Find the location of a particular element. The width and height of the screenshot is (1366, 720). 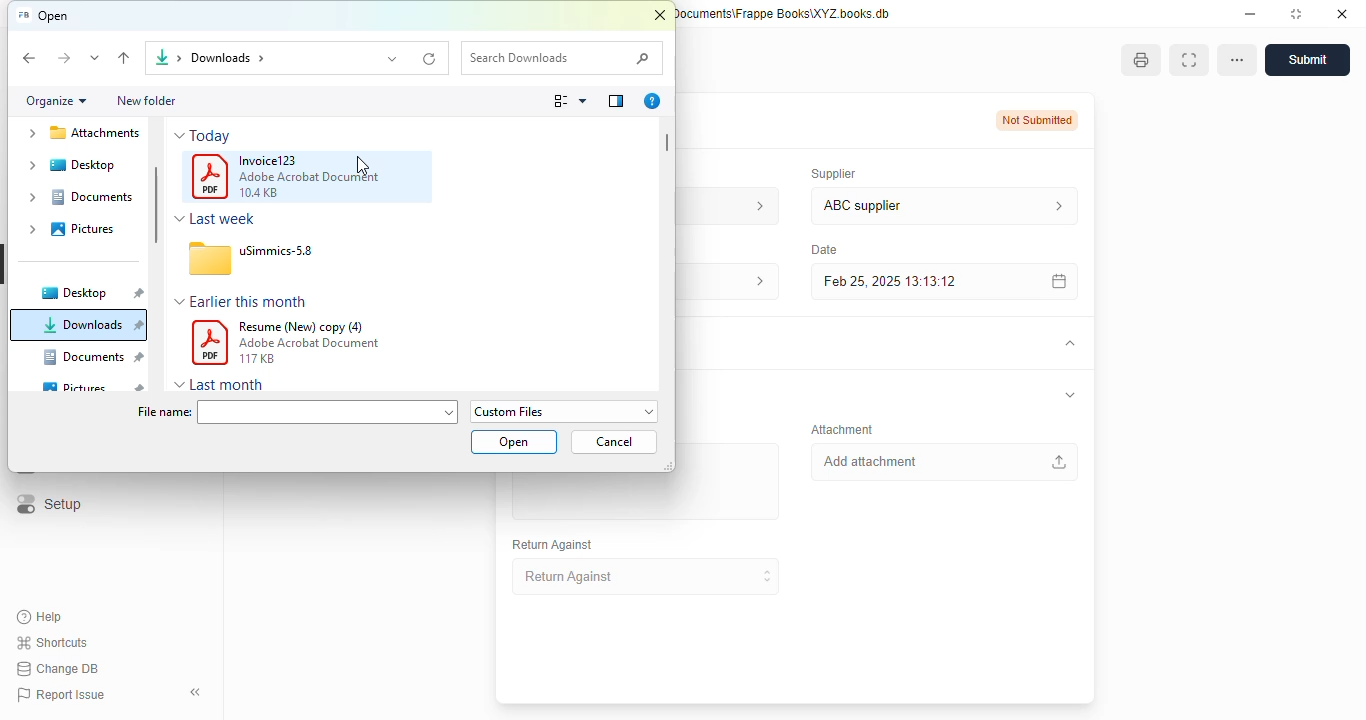

today is located at coordinates (210, 136).